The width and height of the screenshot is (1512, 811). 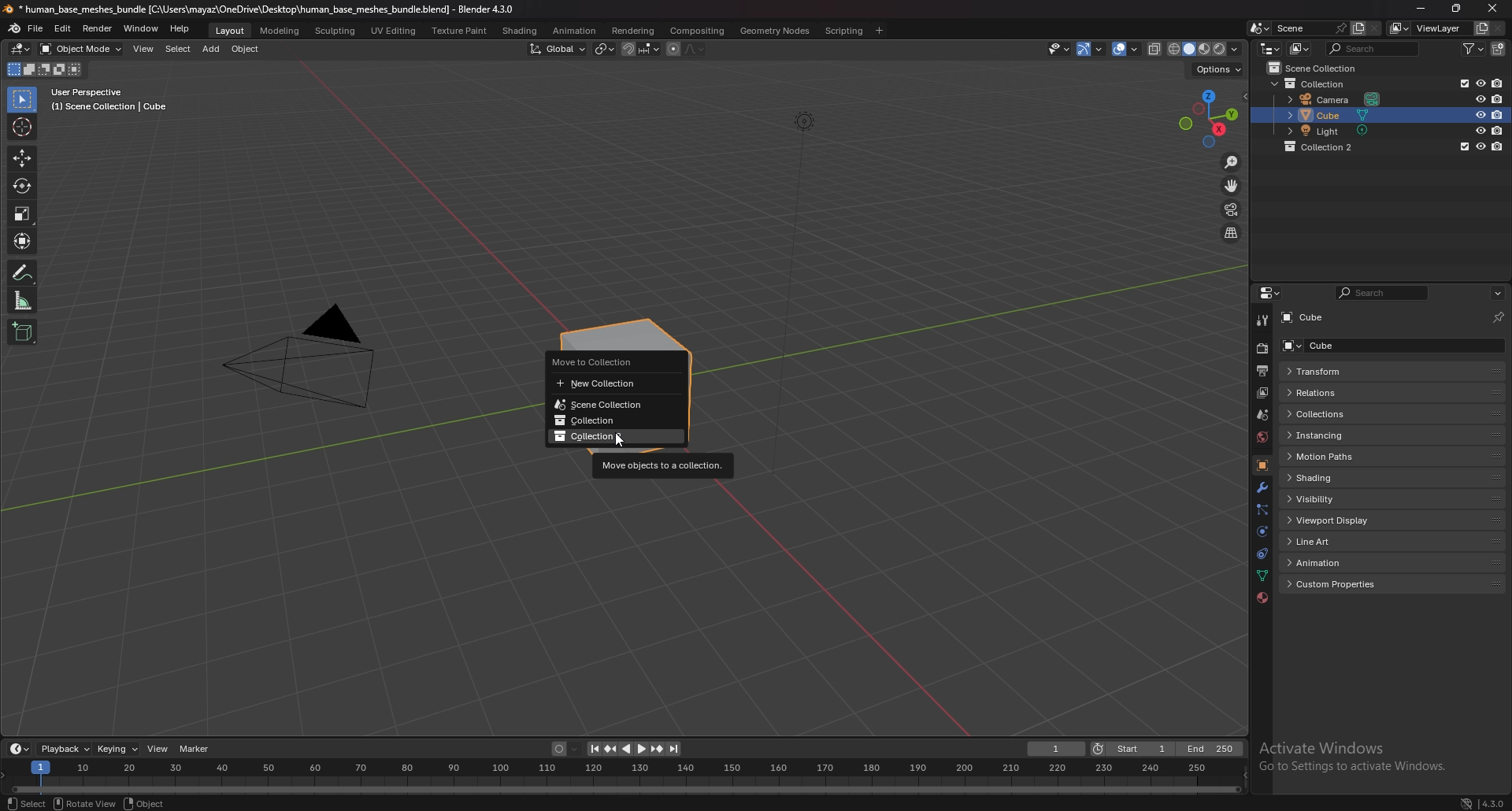 What do you see at coordinates (45, 71) in the screenshot?
I see `mode` at bounding box center [45, 71].